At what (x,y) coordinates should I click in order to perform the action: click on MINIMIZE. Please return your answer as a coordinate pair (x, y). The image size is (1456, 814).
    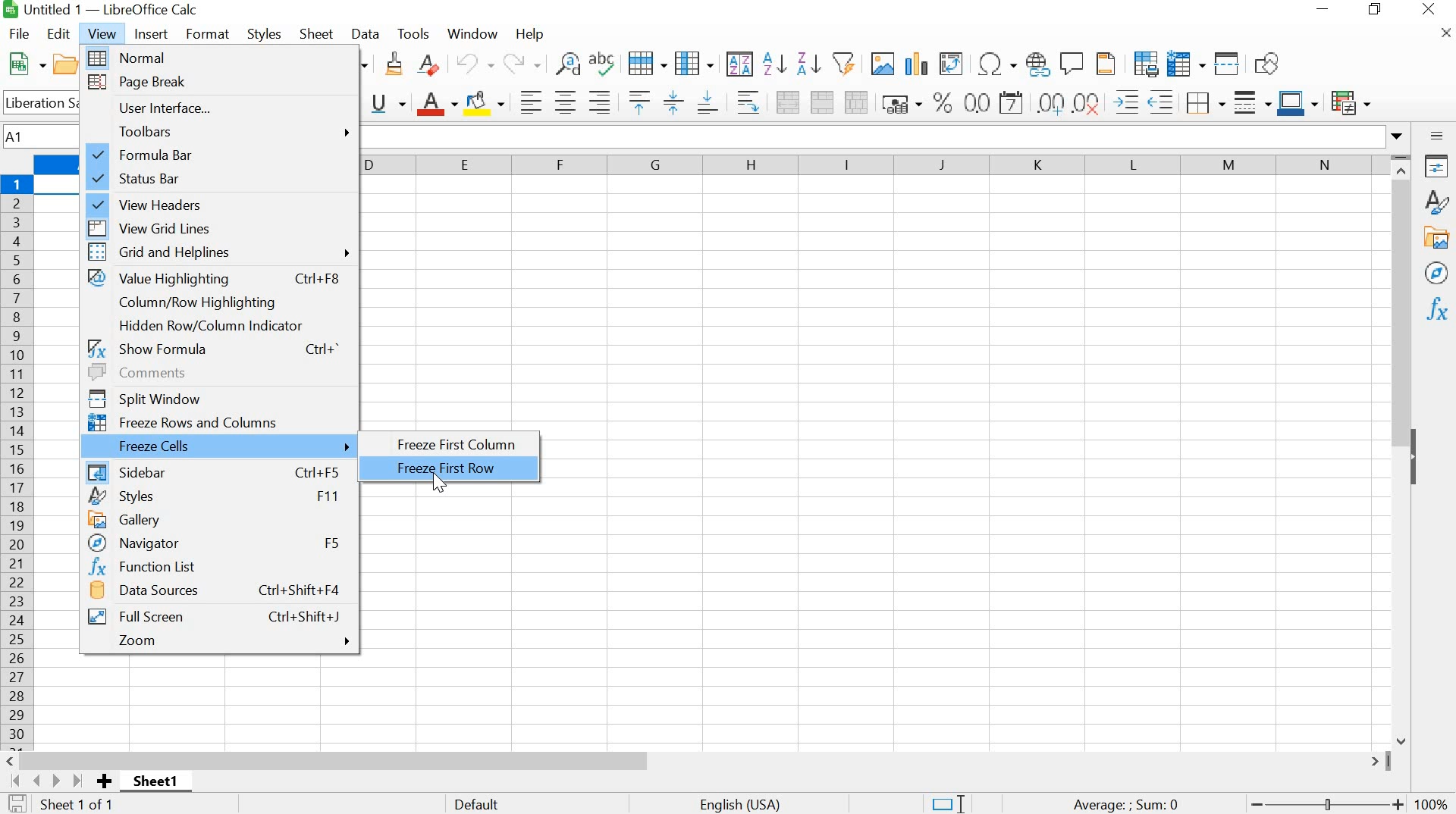
    Looking at the image, I should click on (1323, 10).